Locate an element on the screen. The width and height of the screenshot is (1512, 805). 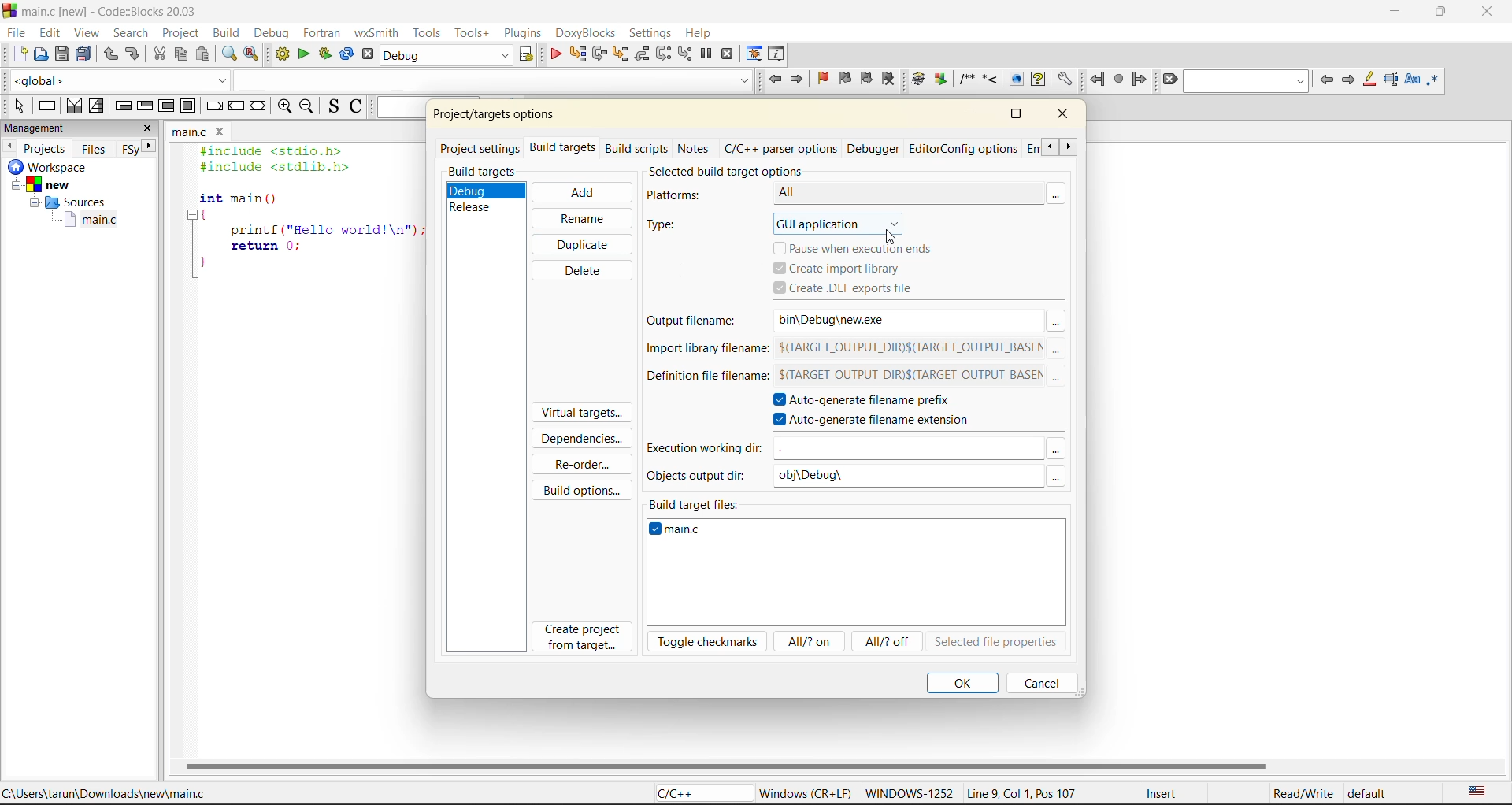
tools is located at coordinates (426, 34).